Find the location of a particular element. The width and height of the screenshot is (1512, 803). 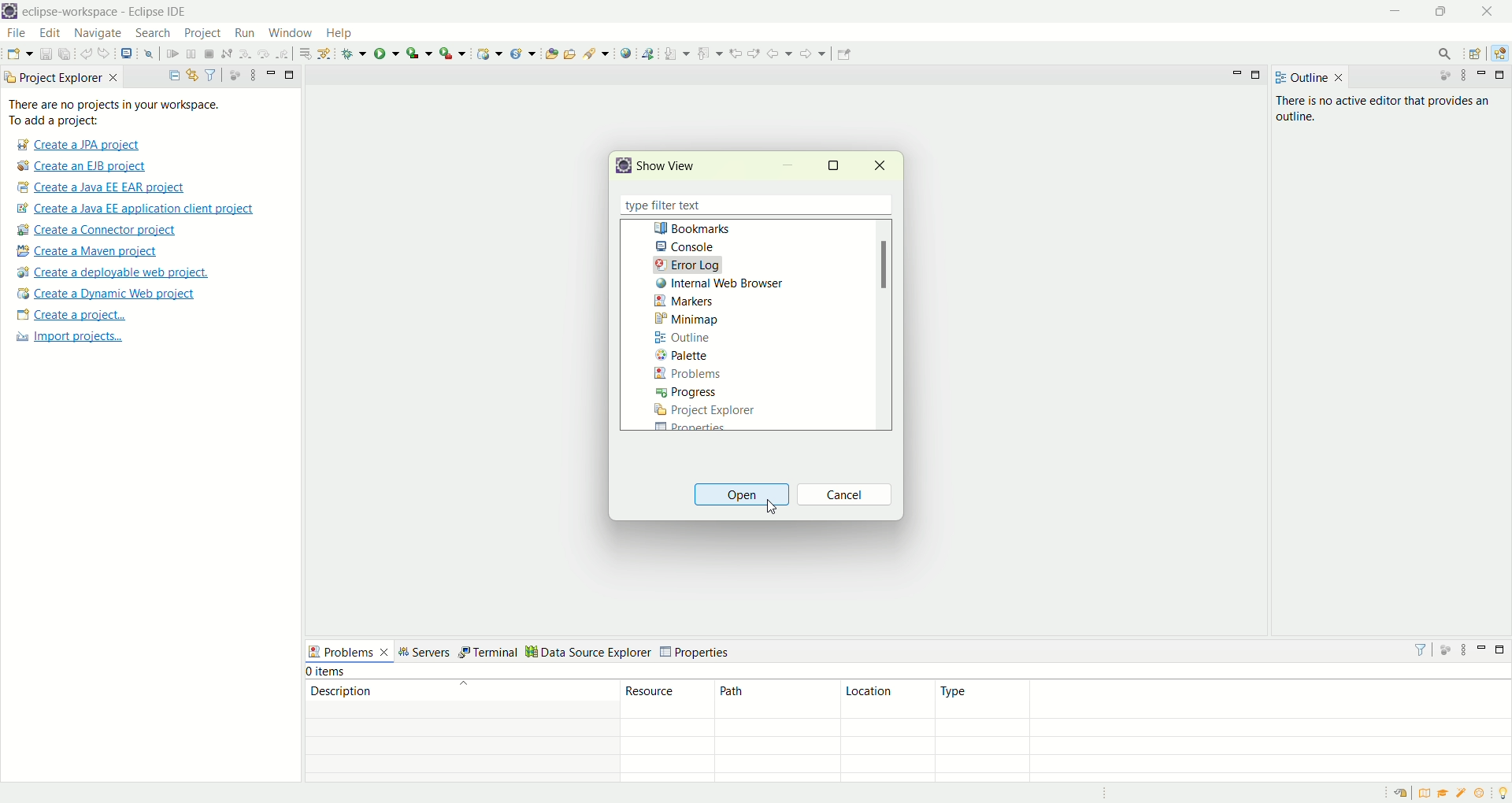

minimize is located at coordinates (1483, 76).